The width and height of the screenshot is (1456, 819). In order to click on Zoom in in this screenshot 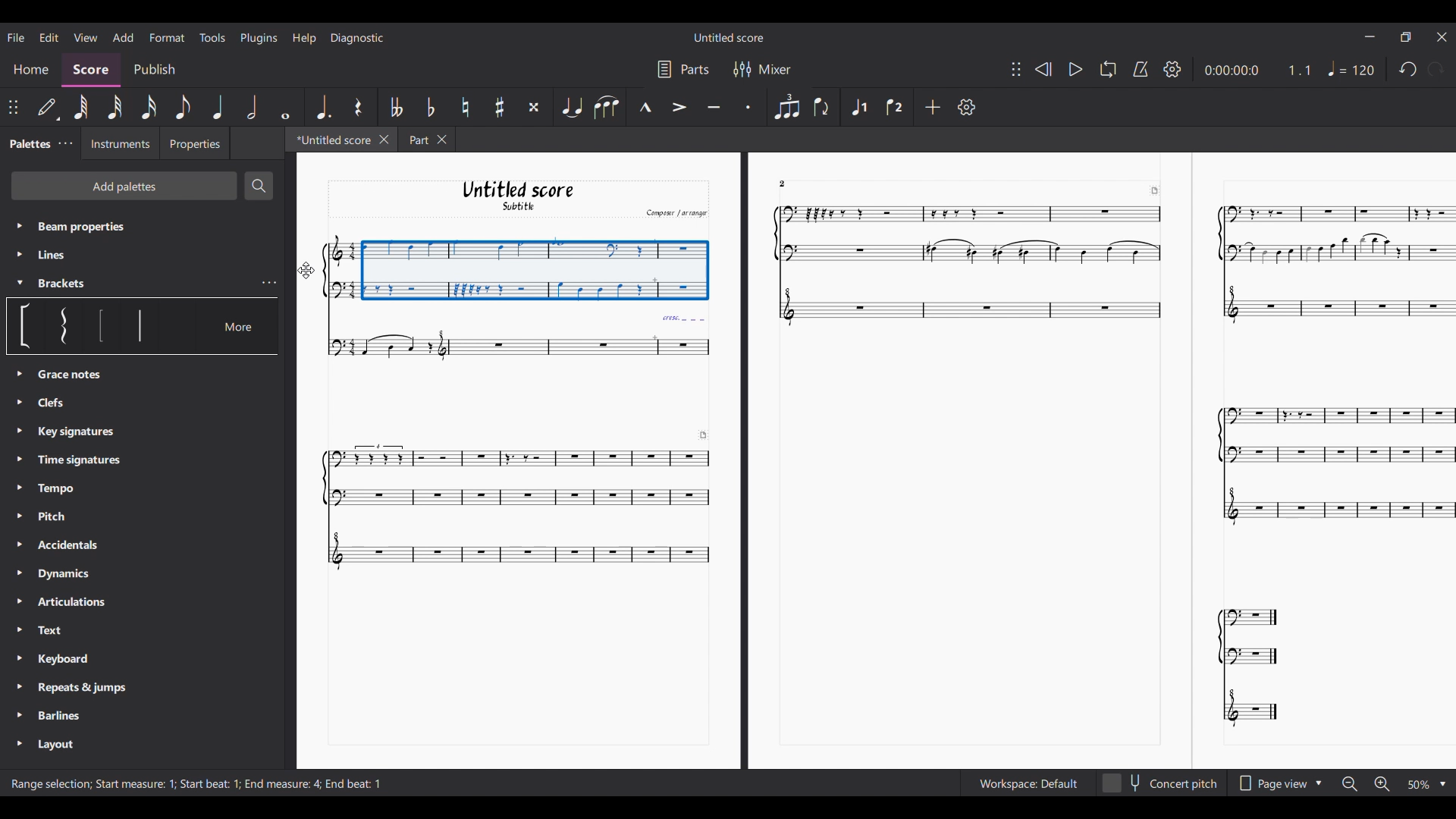, I will do `click(1381, 784)`.